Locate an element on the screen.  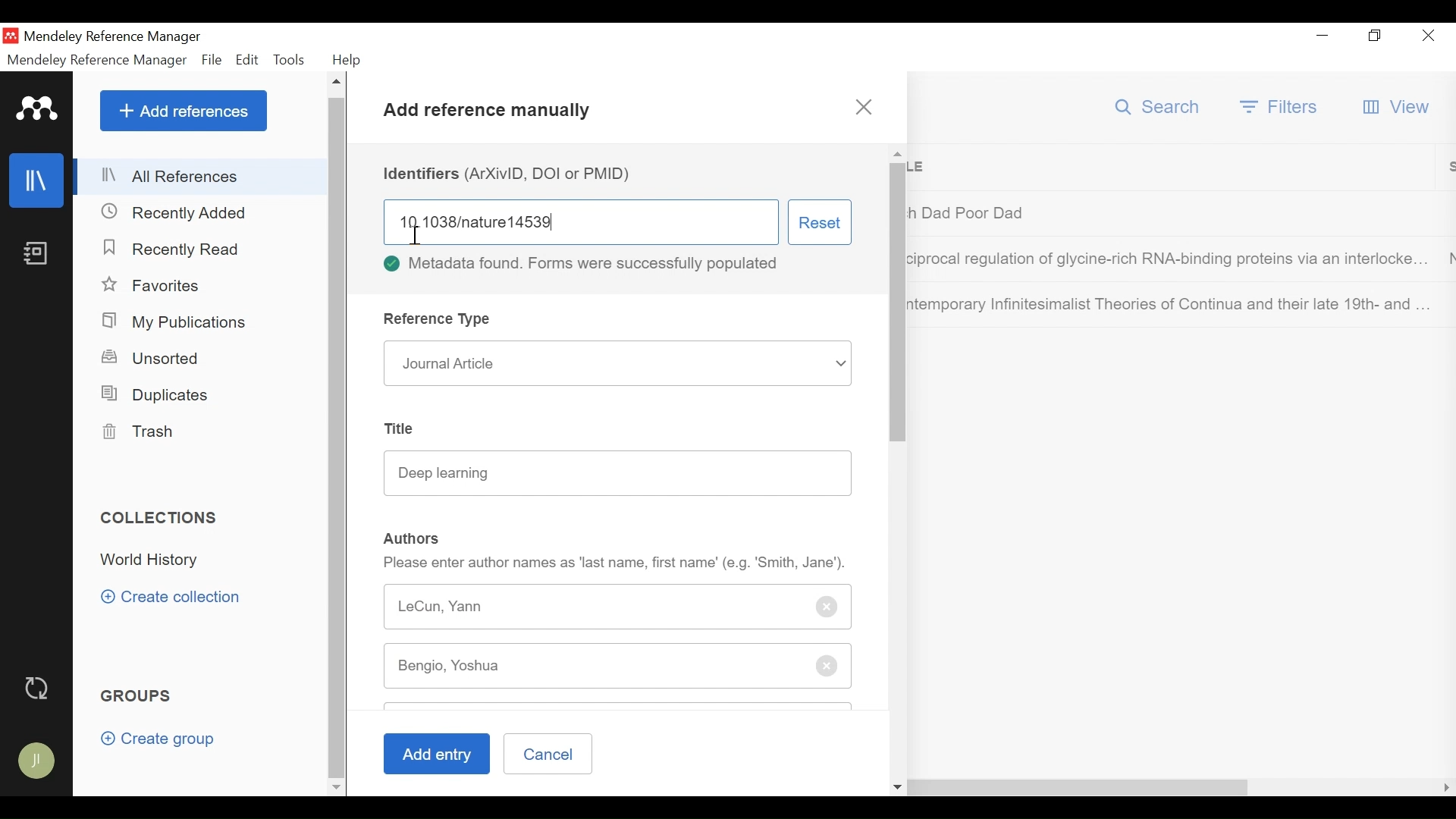
Mendeley Reference Manager is located at coordinates (98, 60).